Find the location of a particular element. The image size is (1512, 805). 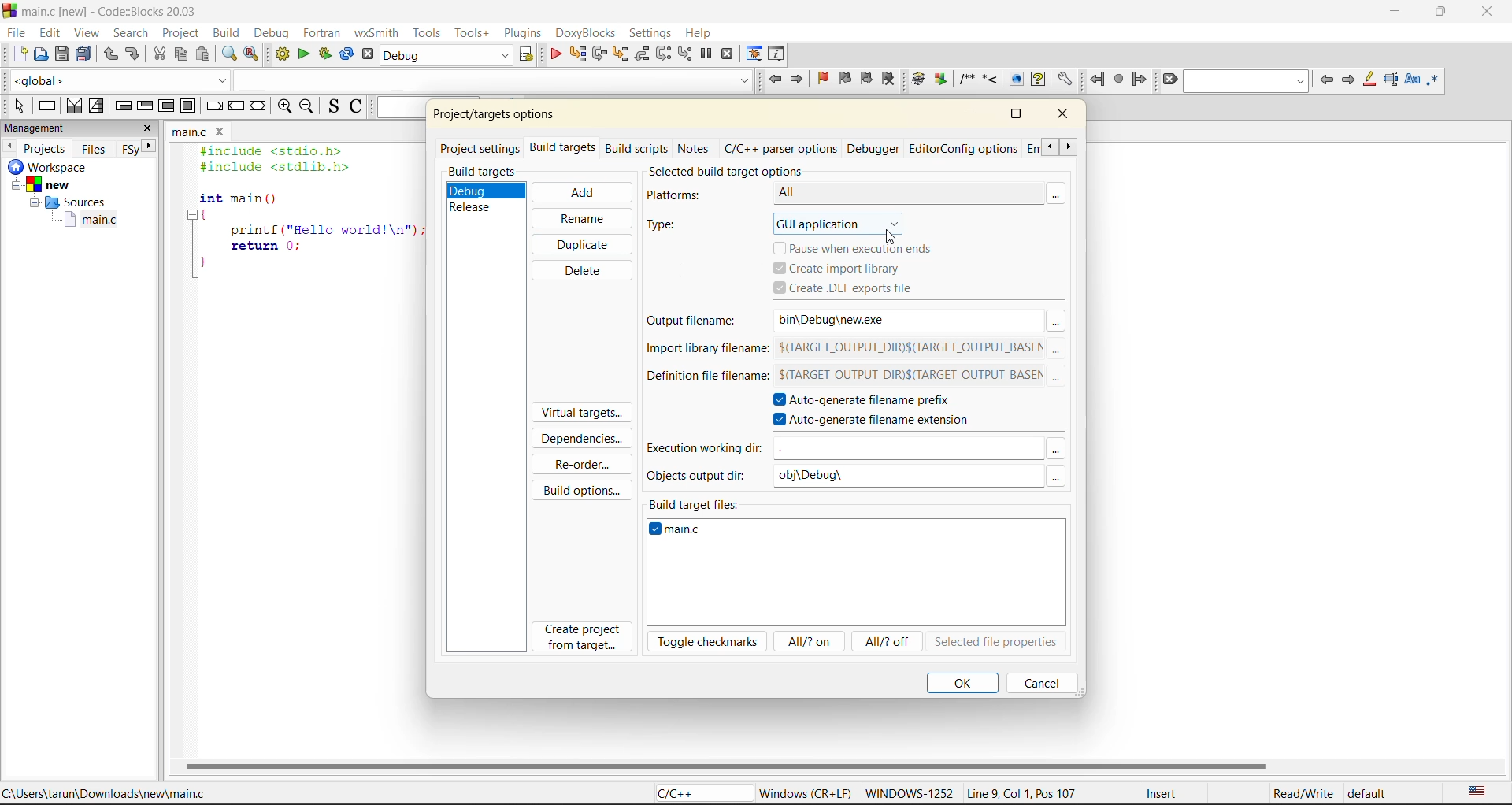

notes is located at coordinates (695, 147).